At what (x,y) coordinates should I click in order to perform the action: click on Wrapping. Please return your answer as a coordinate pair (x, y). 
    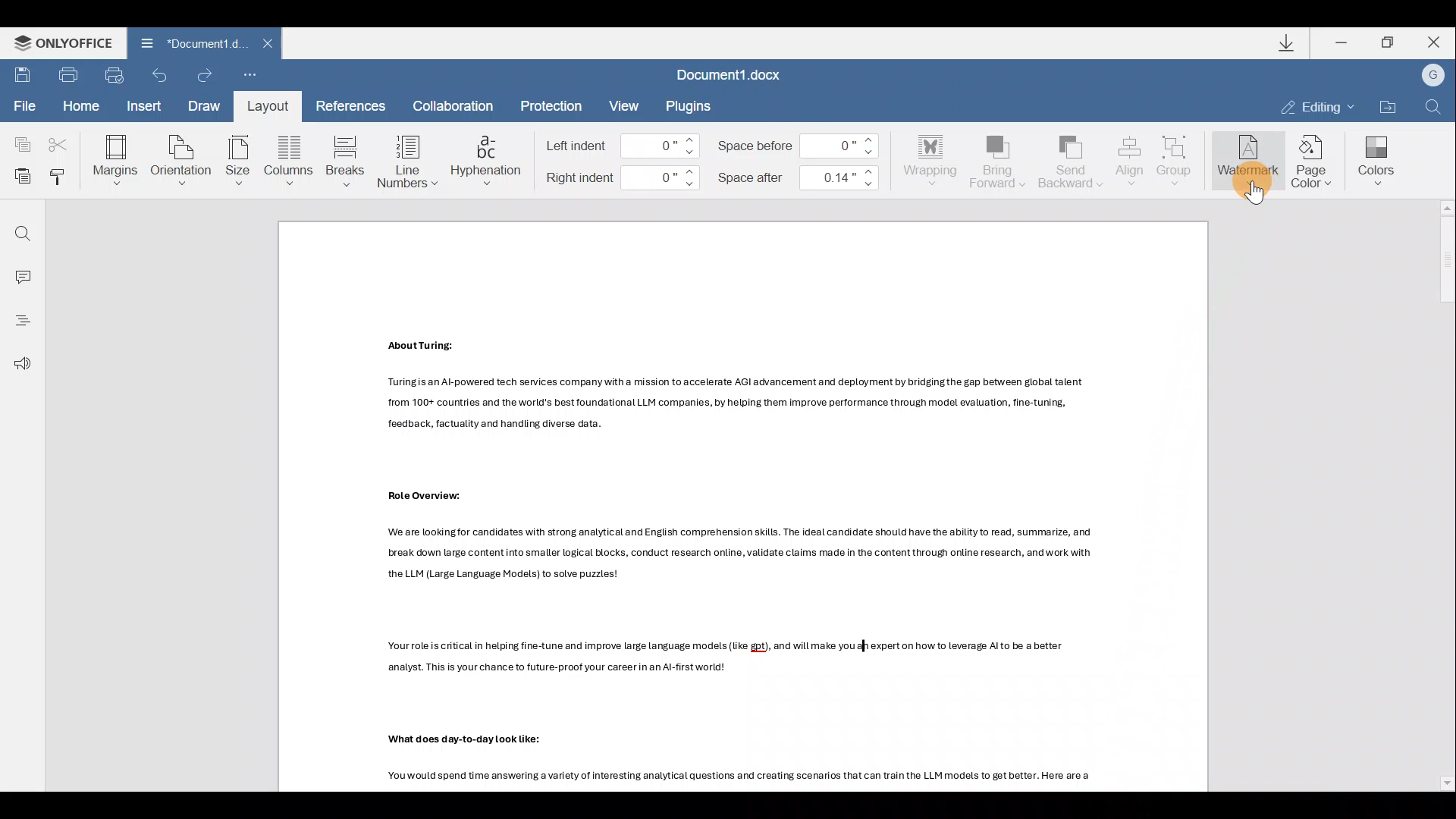
    Looking at the image, I should click on (927, 161).